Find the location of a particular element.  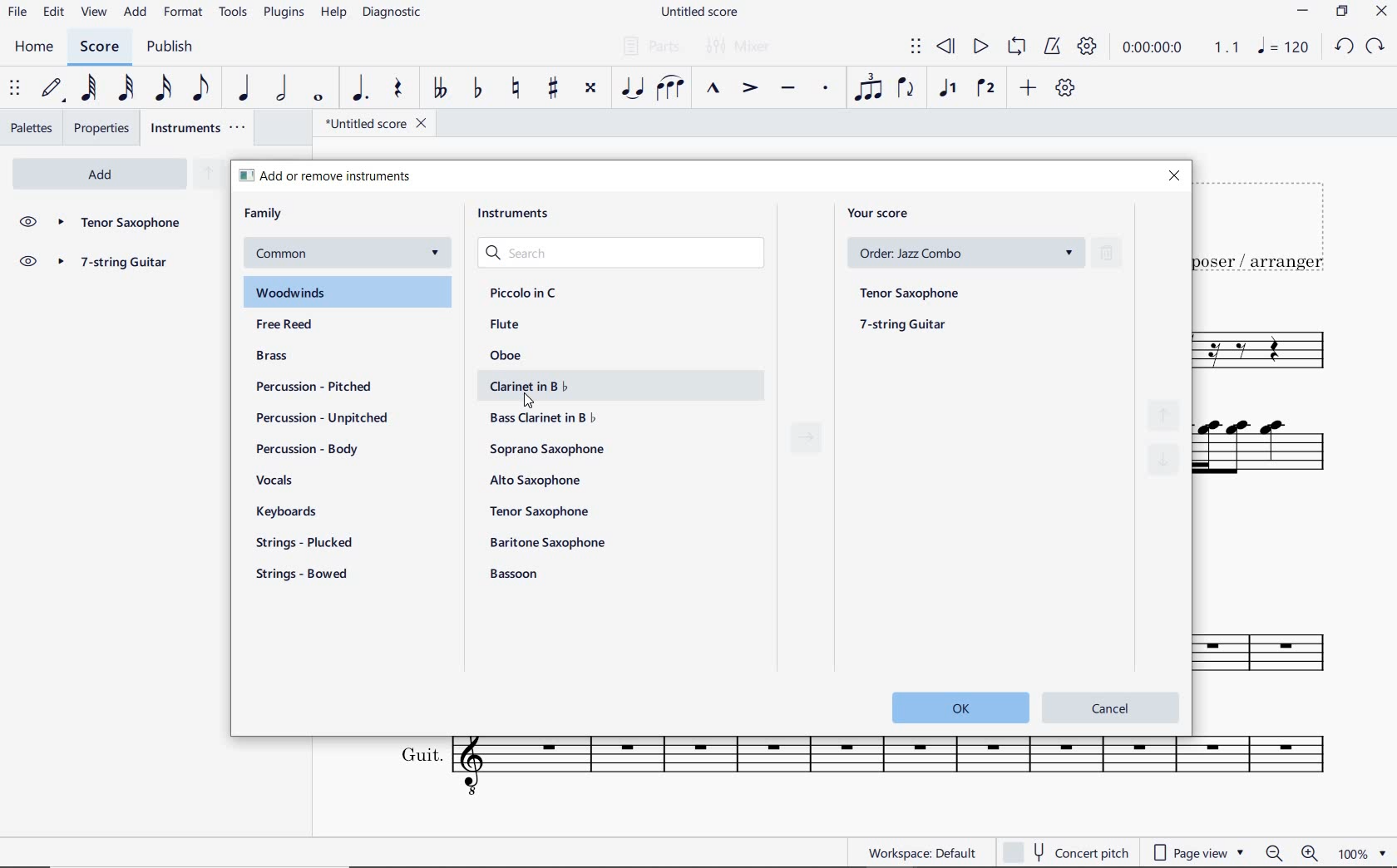

keyboards is located at coordinates (293, 513).